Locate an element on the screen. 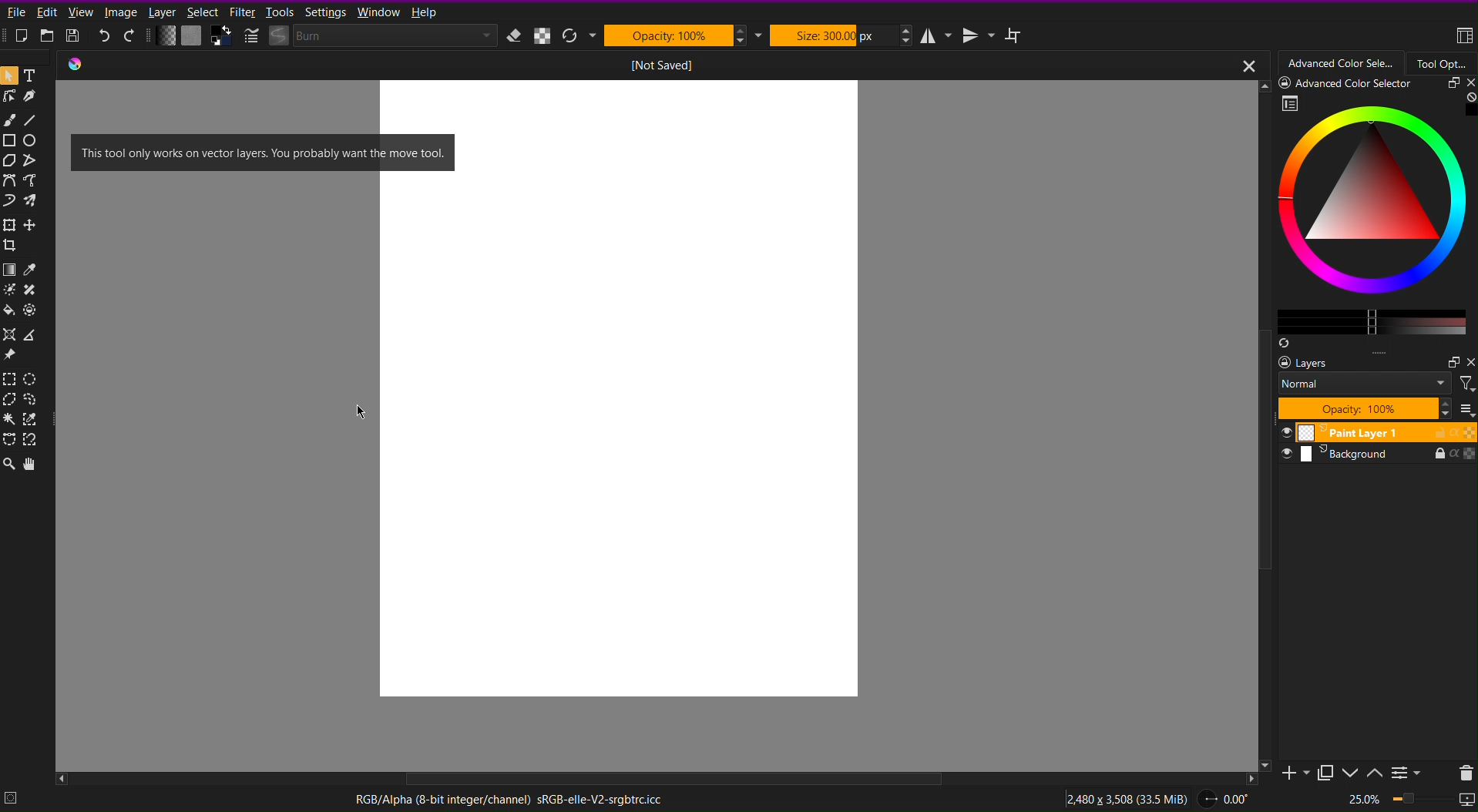 The height and width of the screenshot is (812, 1478). Line is located at coordinates (31, 120).